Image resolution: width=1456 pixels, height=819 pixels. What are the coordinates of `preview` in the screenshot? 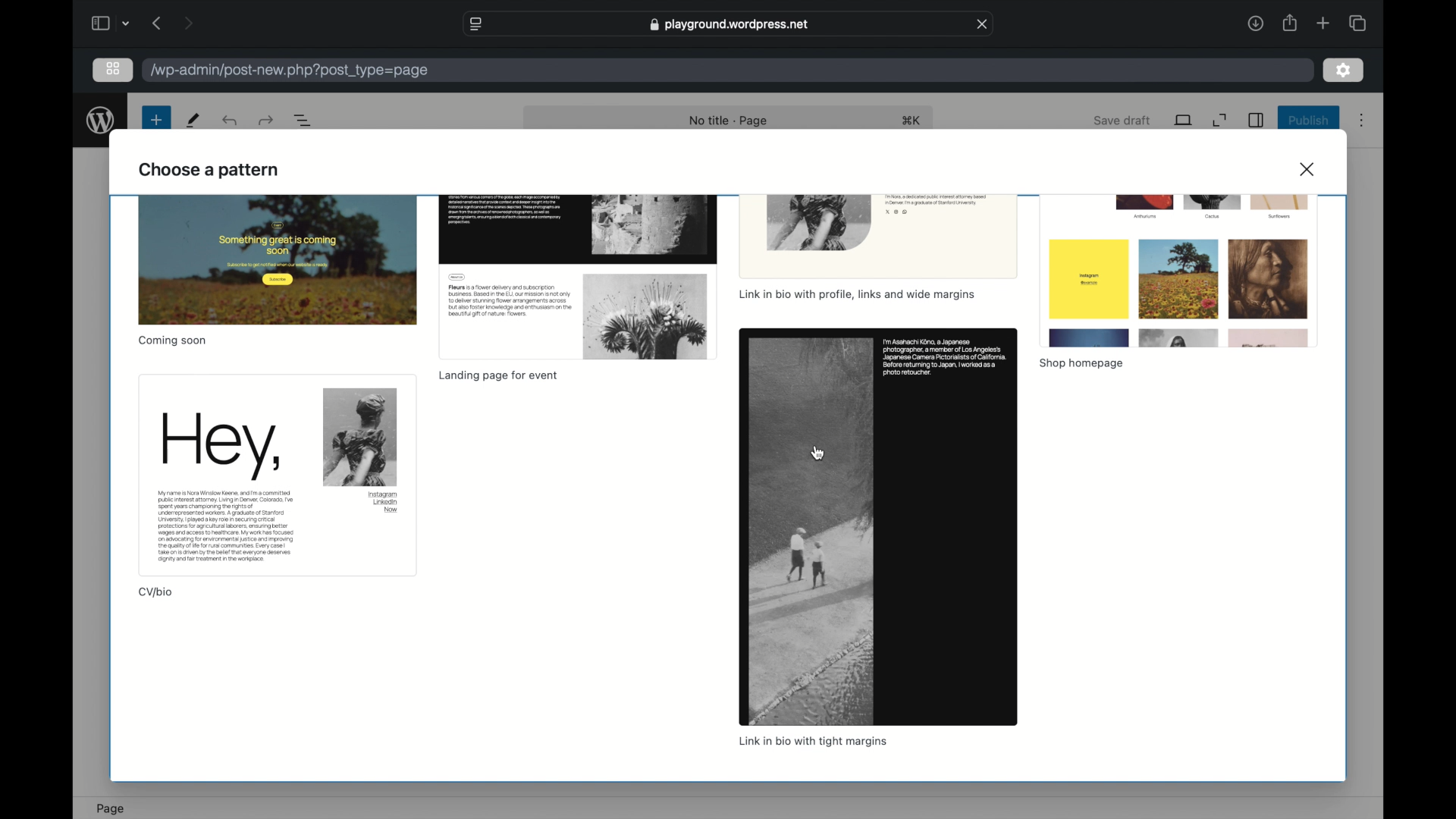 It's located at (276, 475).